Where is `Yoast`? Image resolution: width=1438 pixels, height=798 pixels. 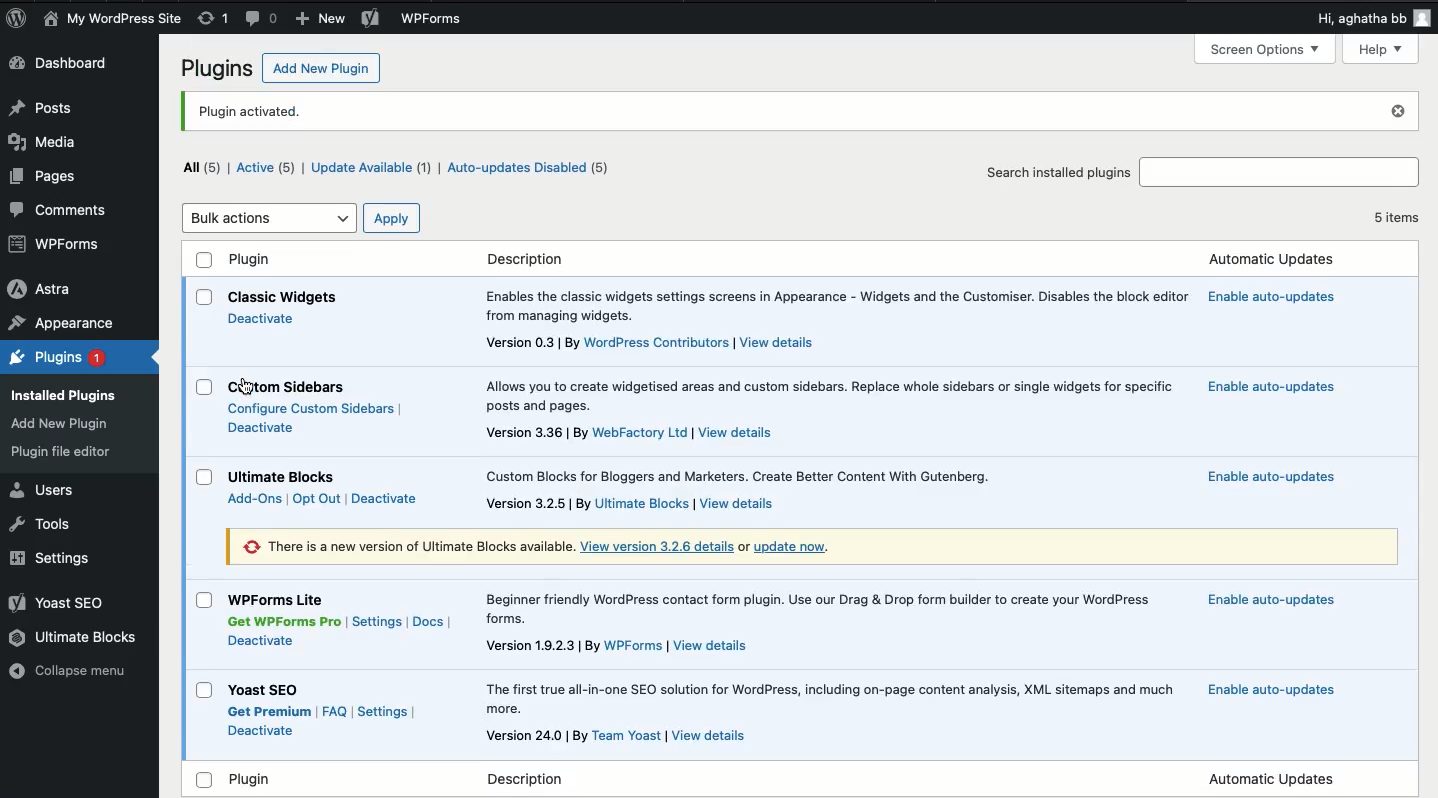
Yoast is located at coordinates (371, 20).